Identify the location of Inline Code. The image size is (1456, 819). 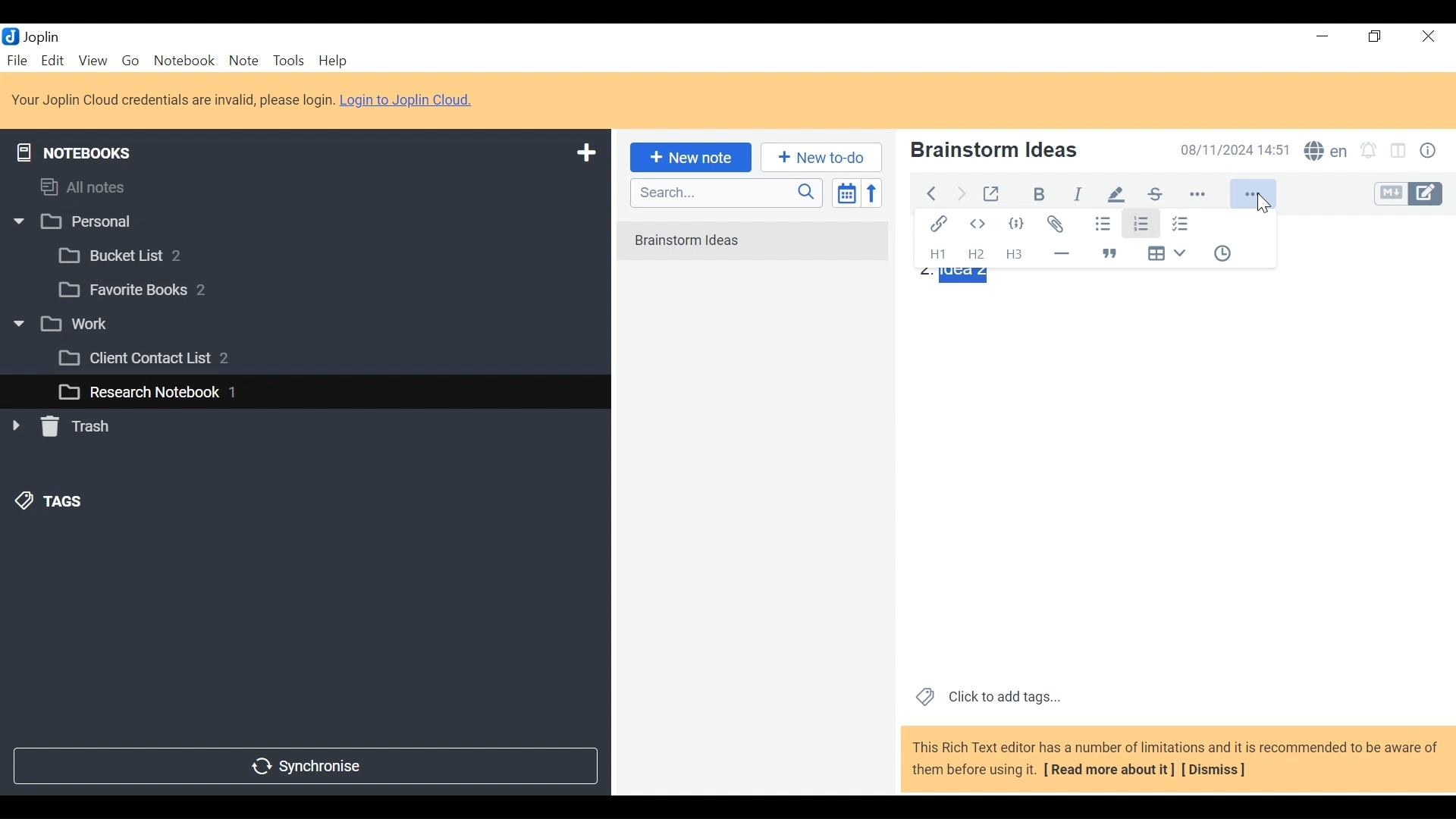
(977, 224).